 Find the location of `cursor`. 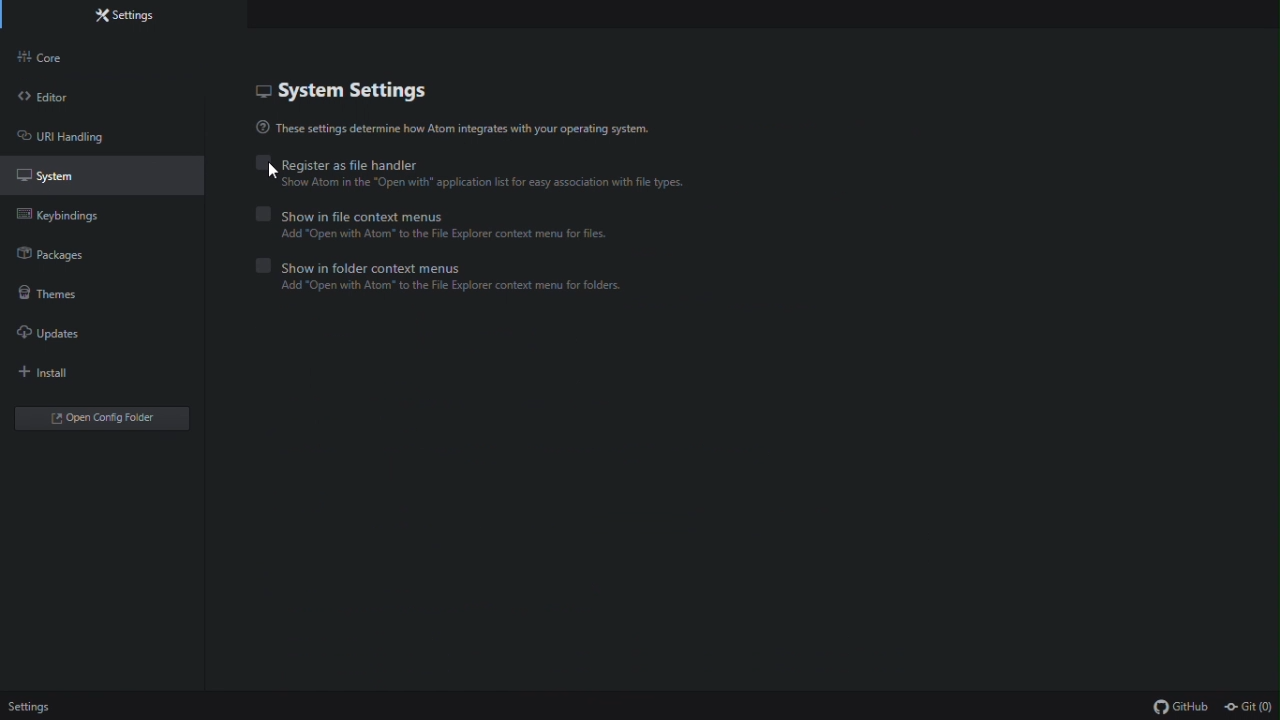

cursor is located at coordinates (271, 172).